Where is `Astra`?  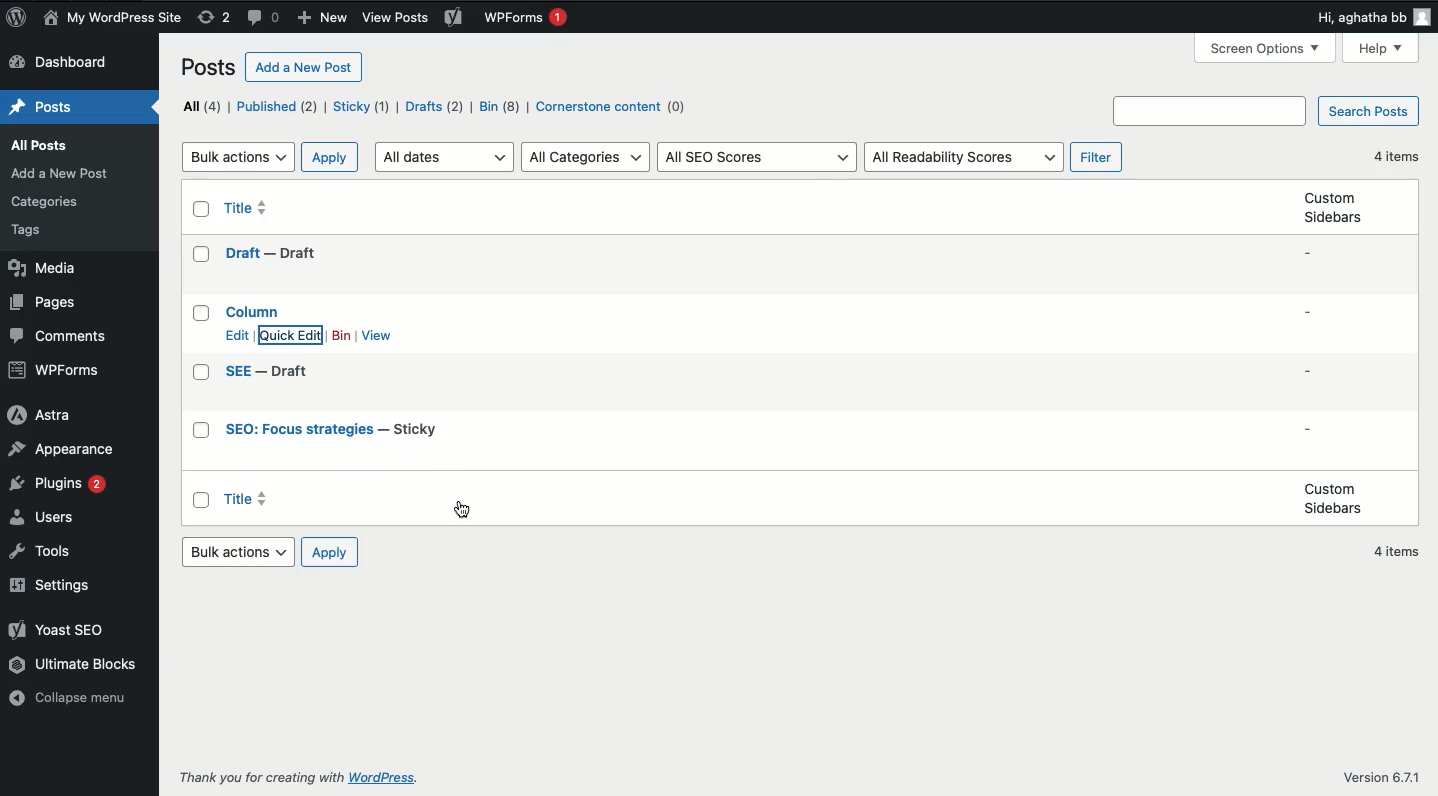 Astra is located at coordinates (39, 415).